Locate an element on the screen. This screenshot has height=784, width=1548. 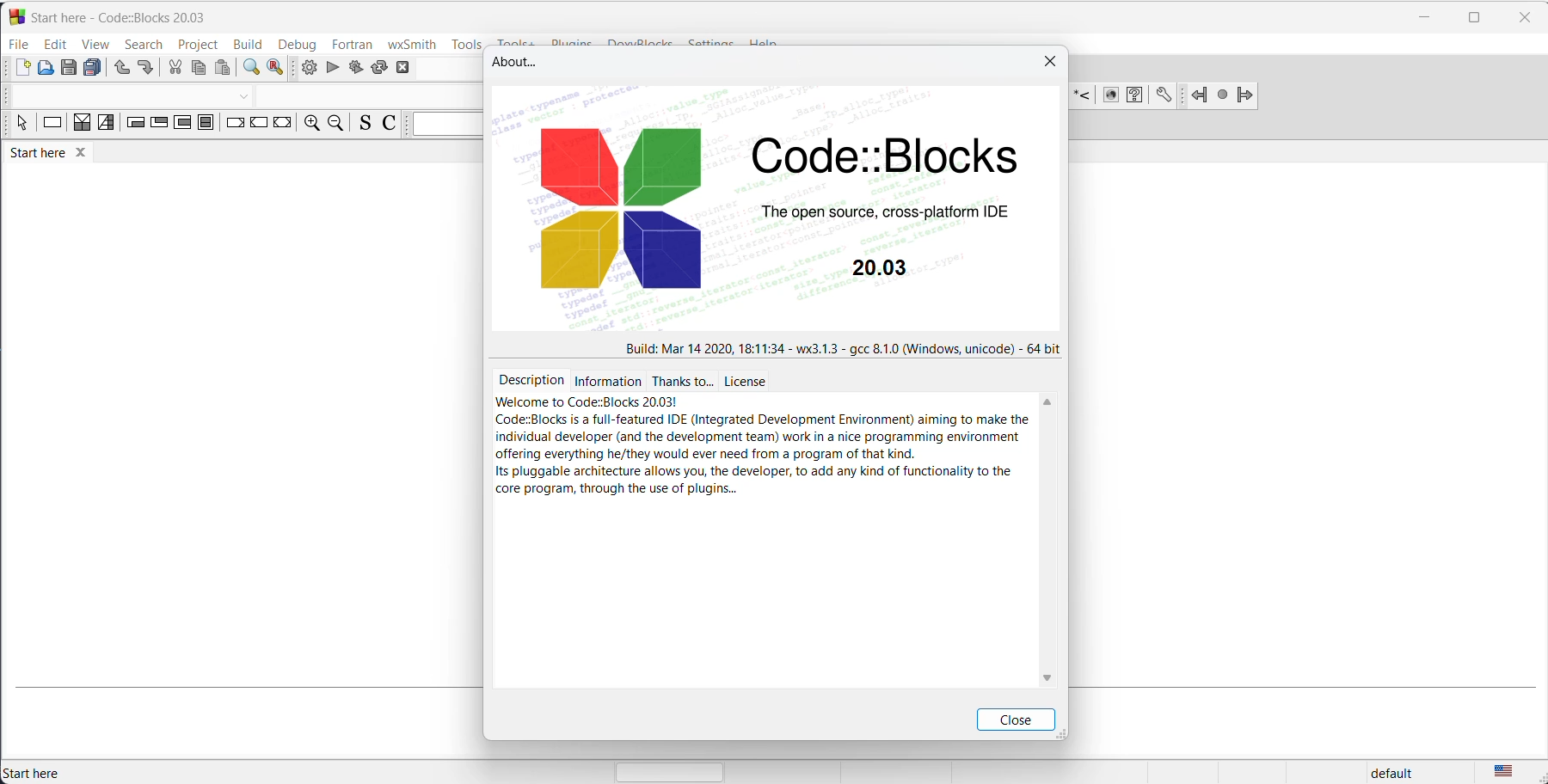
HTML help is located at coordinates (1137, 97).